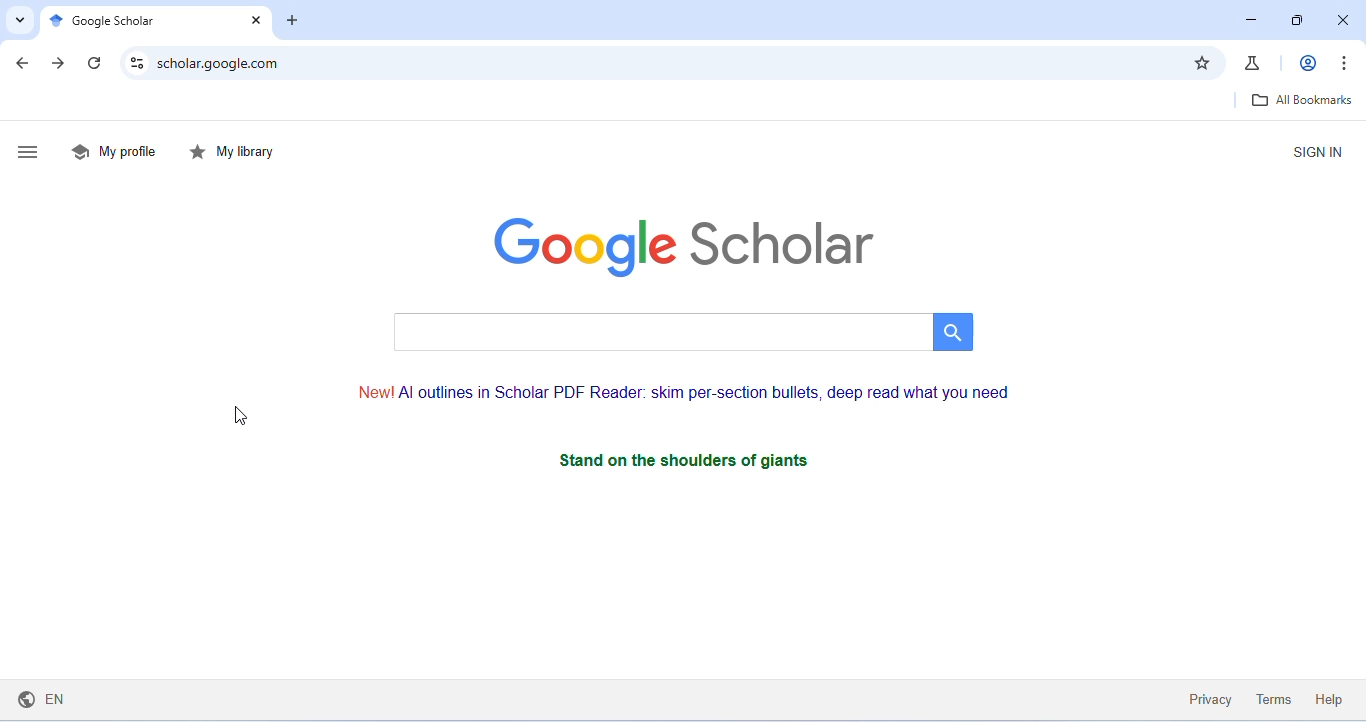 This screenshot has width=1366, height=722. I want to click on New! Al outlines in Scholar PDF Reader: skim per-section bullets, deep read what you need, so click(686, 393).